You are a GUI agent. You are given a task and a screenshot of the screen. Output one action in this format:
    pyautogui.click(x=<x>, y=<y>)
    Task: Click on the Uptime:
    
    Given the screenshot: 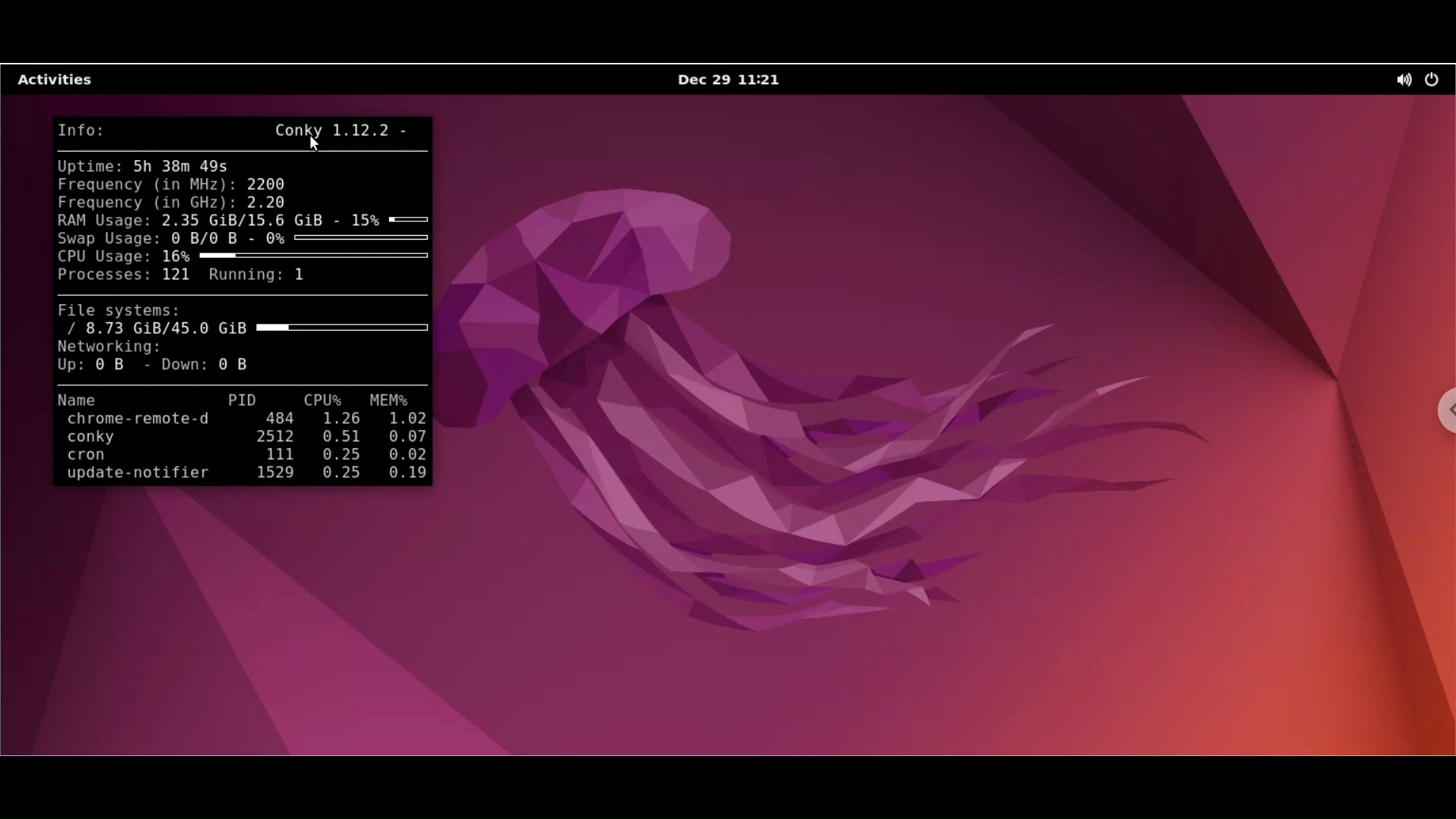 What is the action you would take?
    pyautogui.click(x=88, y=168)
    